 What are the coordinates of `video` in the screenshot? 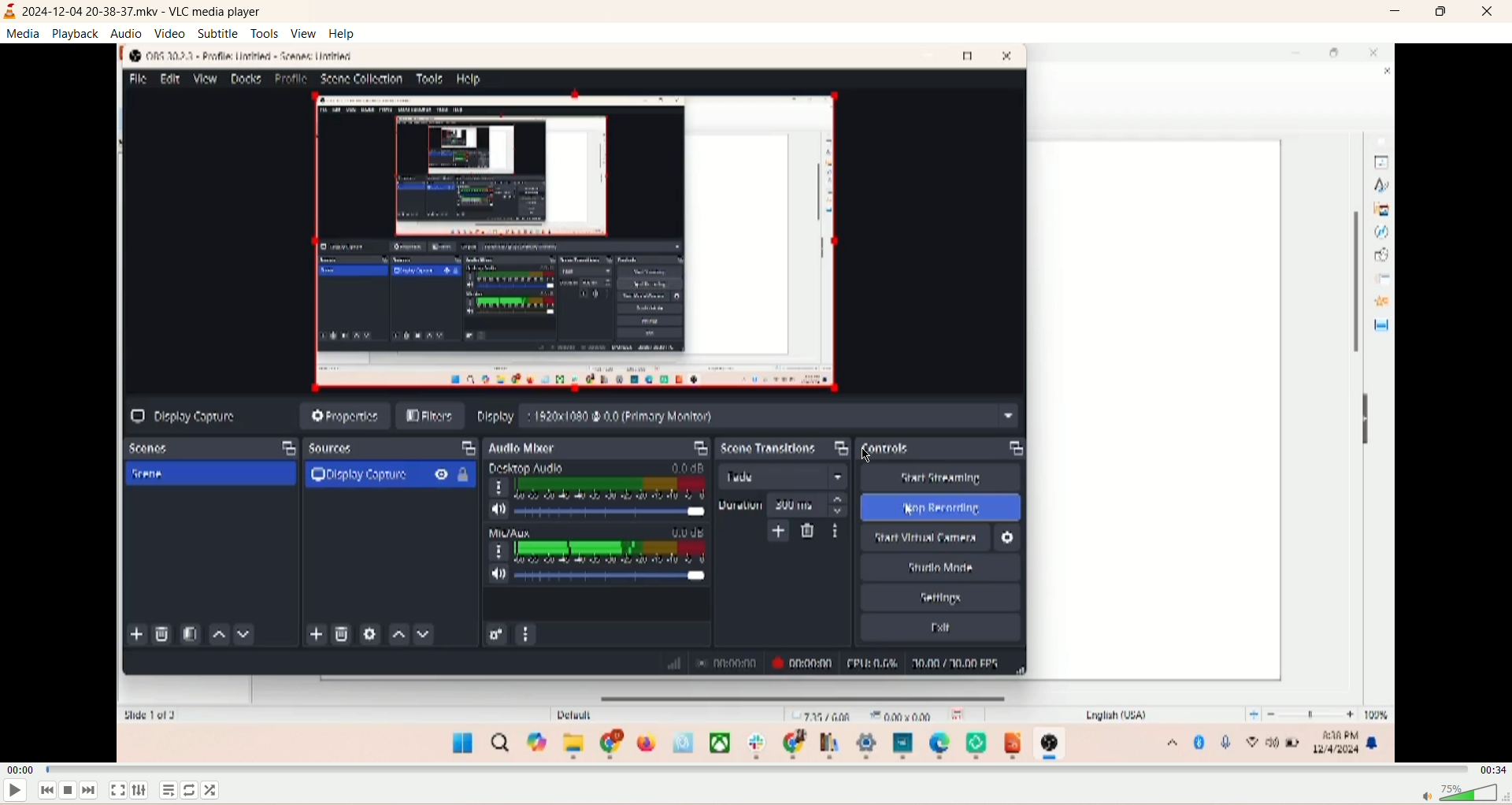 It's located at (171, 34).